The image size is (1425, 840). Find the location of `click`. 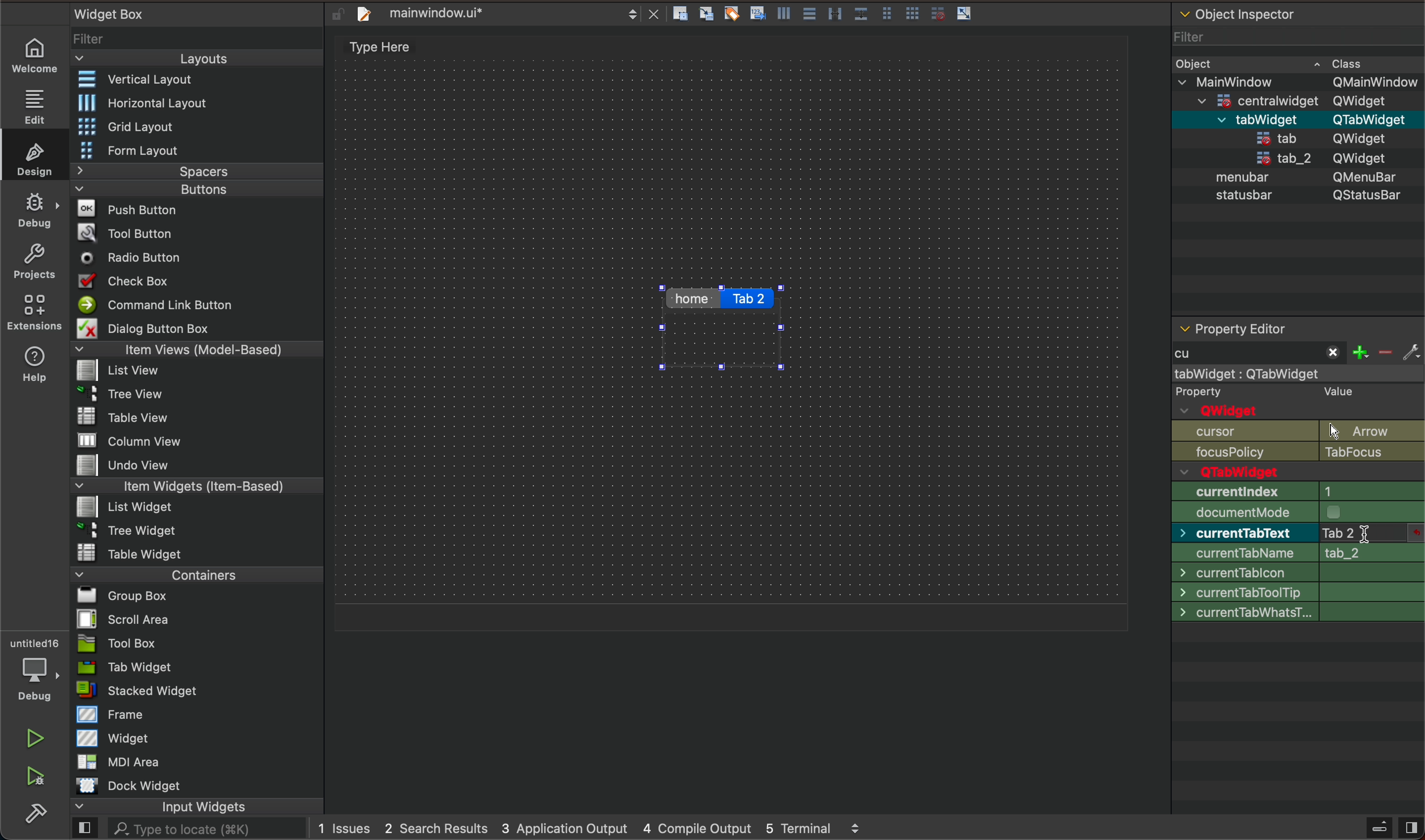

click is located at coordinates (1372, 535).